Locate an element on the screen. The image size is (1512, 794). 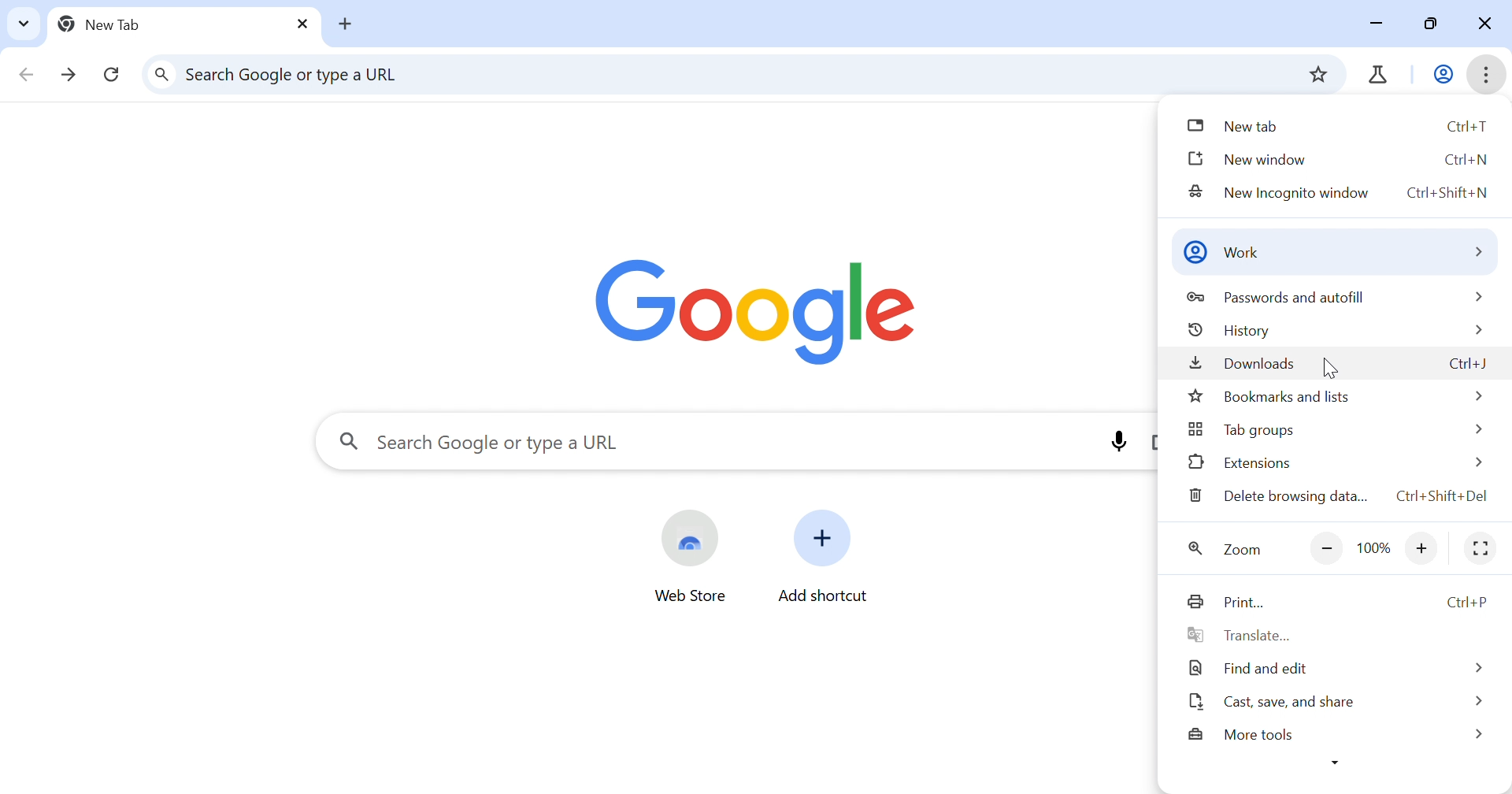
Ctrl+Shift+N is located at coordinates (1447, 194).